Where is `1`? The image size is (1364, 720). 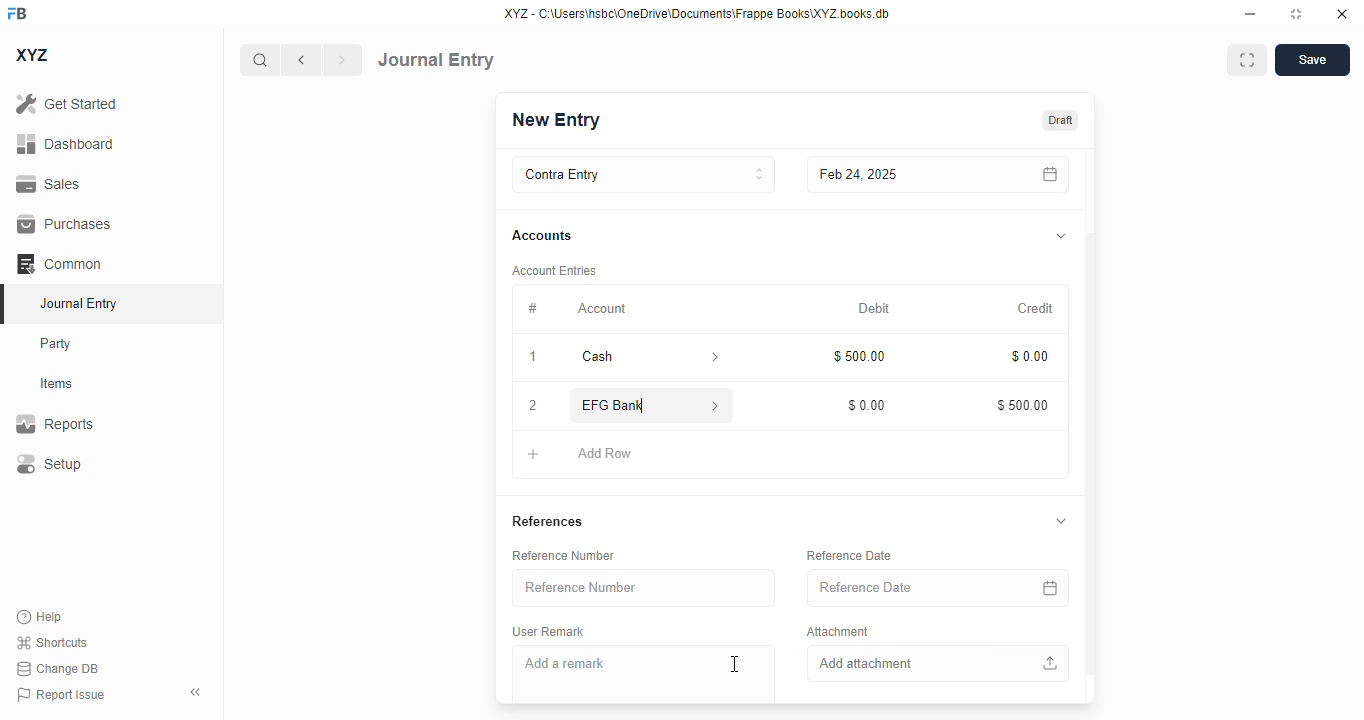
1 is located at coordinates (532, 356).